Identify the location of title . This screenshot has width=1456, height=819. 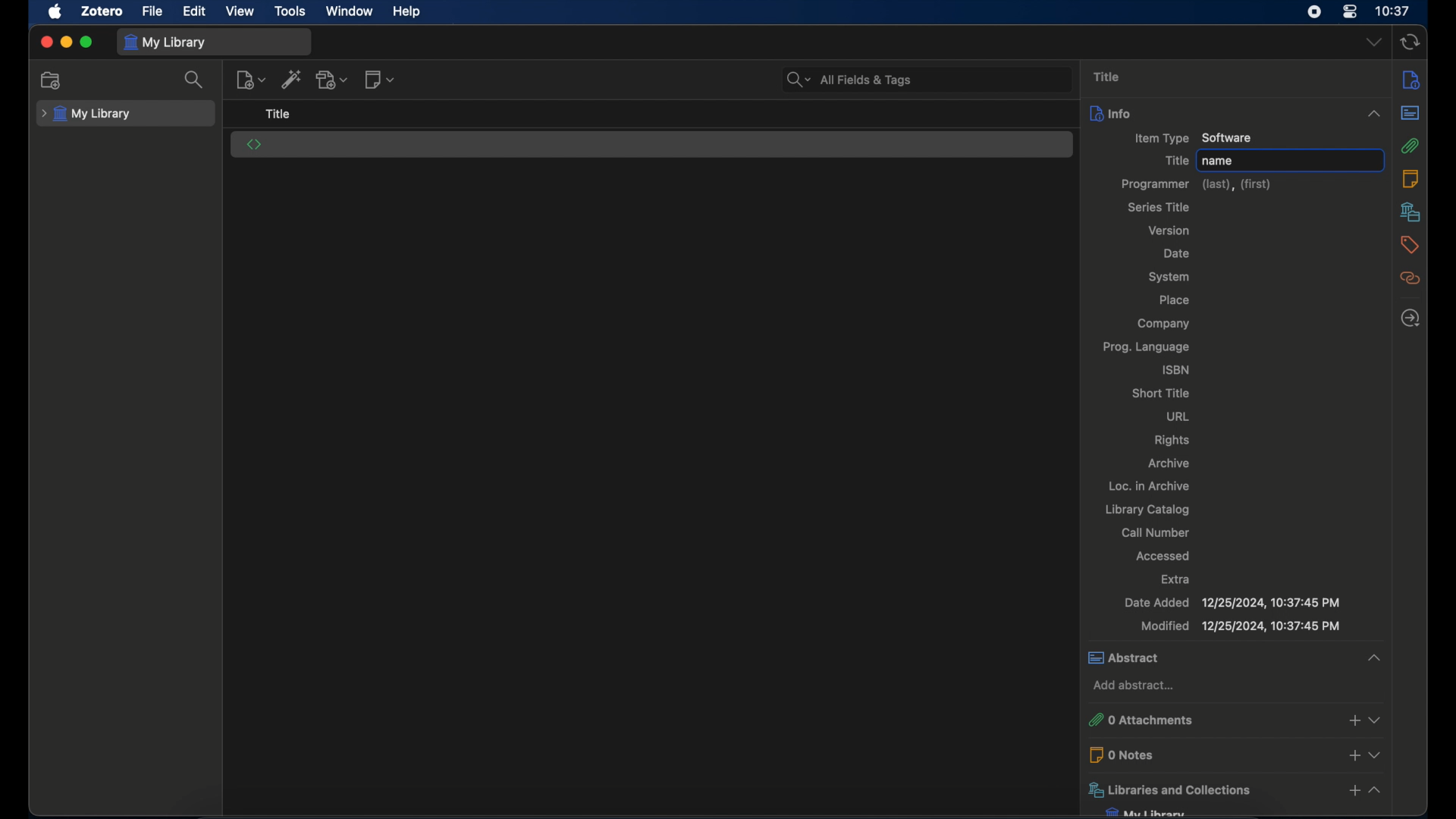
(278, 115).